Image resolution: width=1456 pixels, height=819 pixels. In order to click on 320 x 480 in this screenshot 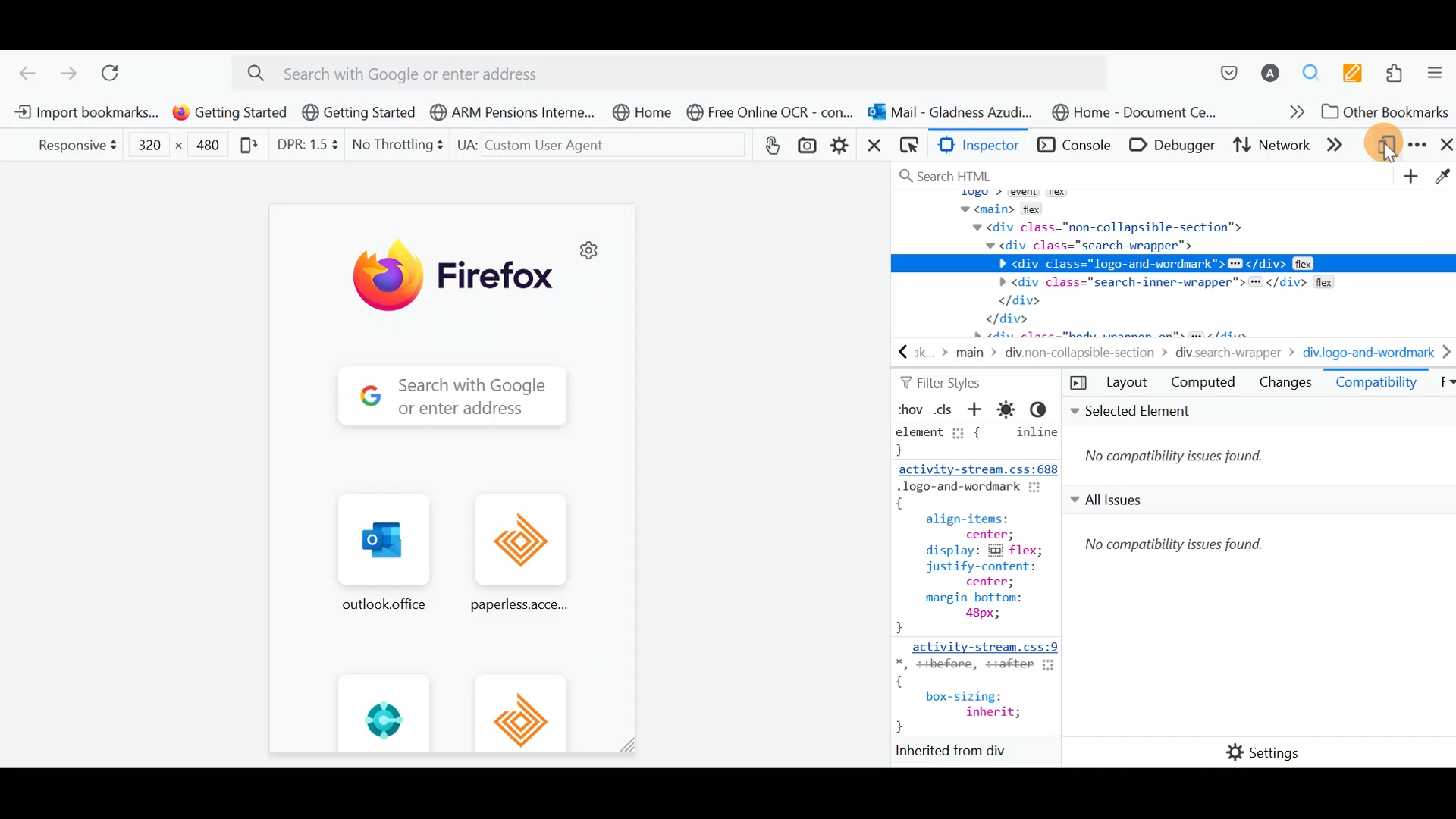, I will do `click(180, 149)`.